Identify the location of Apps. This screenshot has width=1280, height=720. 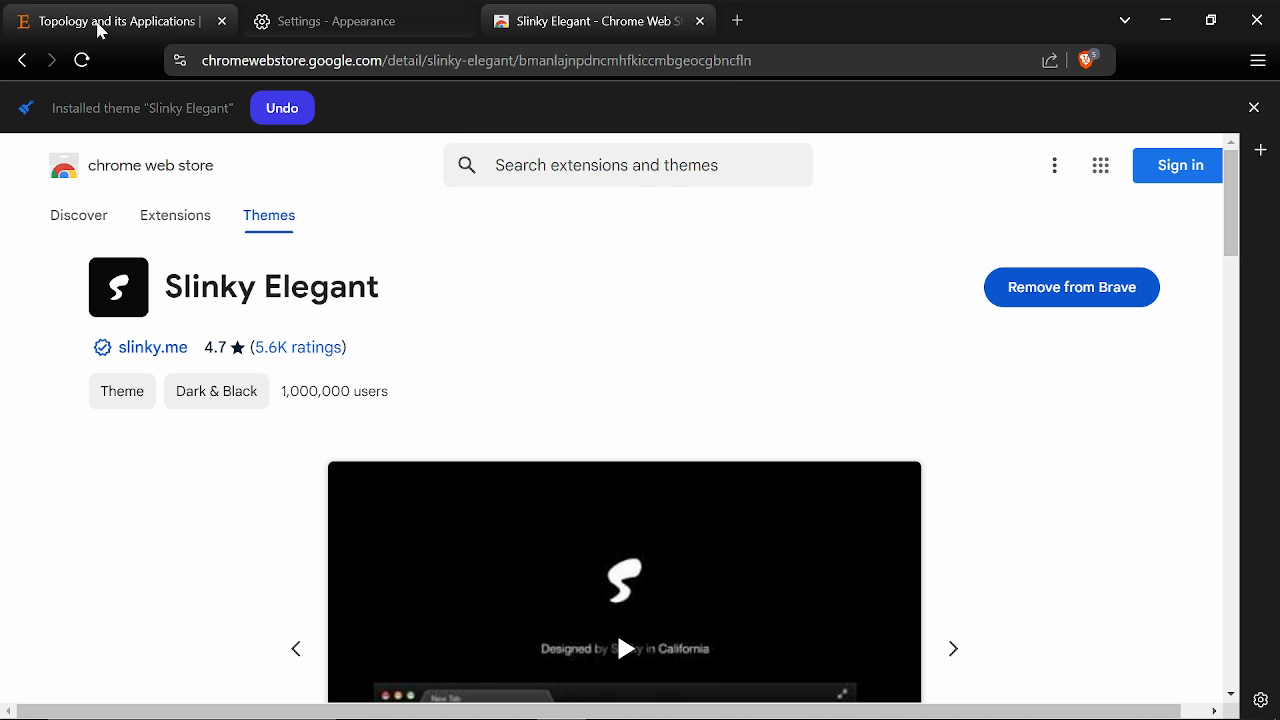
(1100, 165).